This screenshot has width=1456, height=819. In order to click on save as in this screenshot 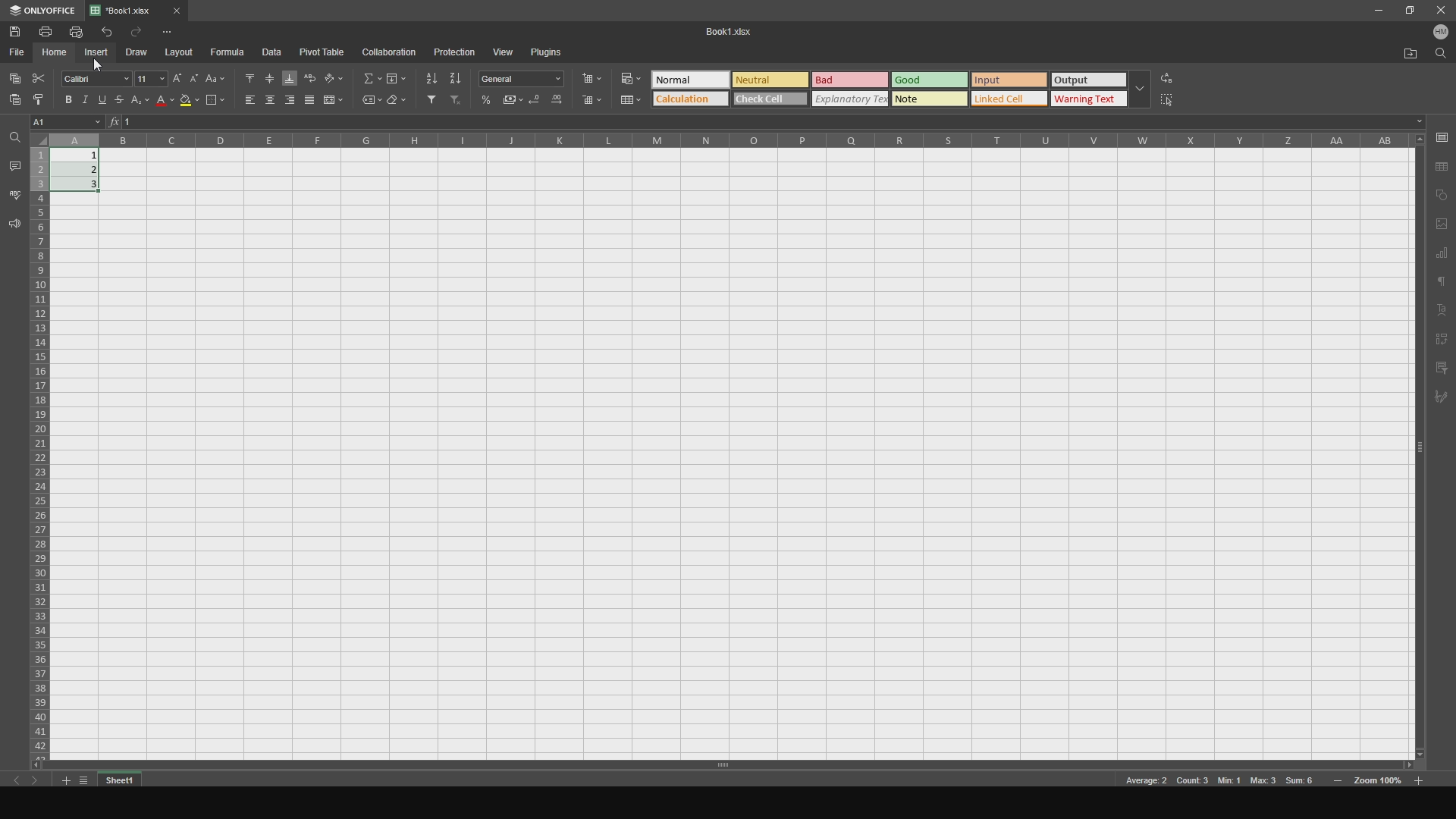, I will do `click(1442, 166)`.